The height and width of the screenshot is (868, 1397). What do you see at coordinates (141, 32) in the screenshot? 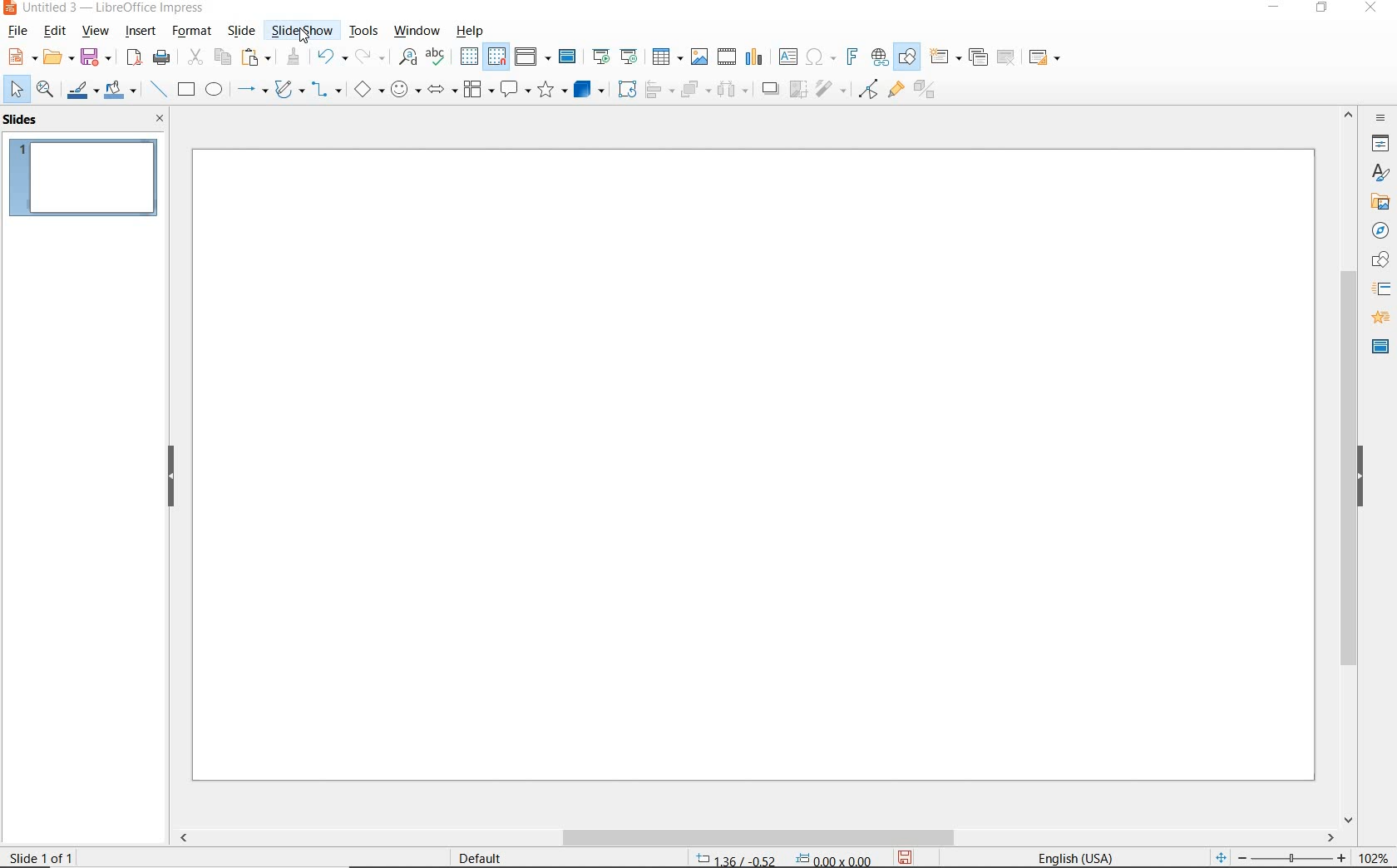
I see `INSERT` at bounding box center [141, 32].